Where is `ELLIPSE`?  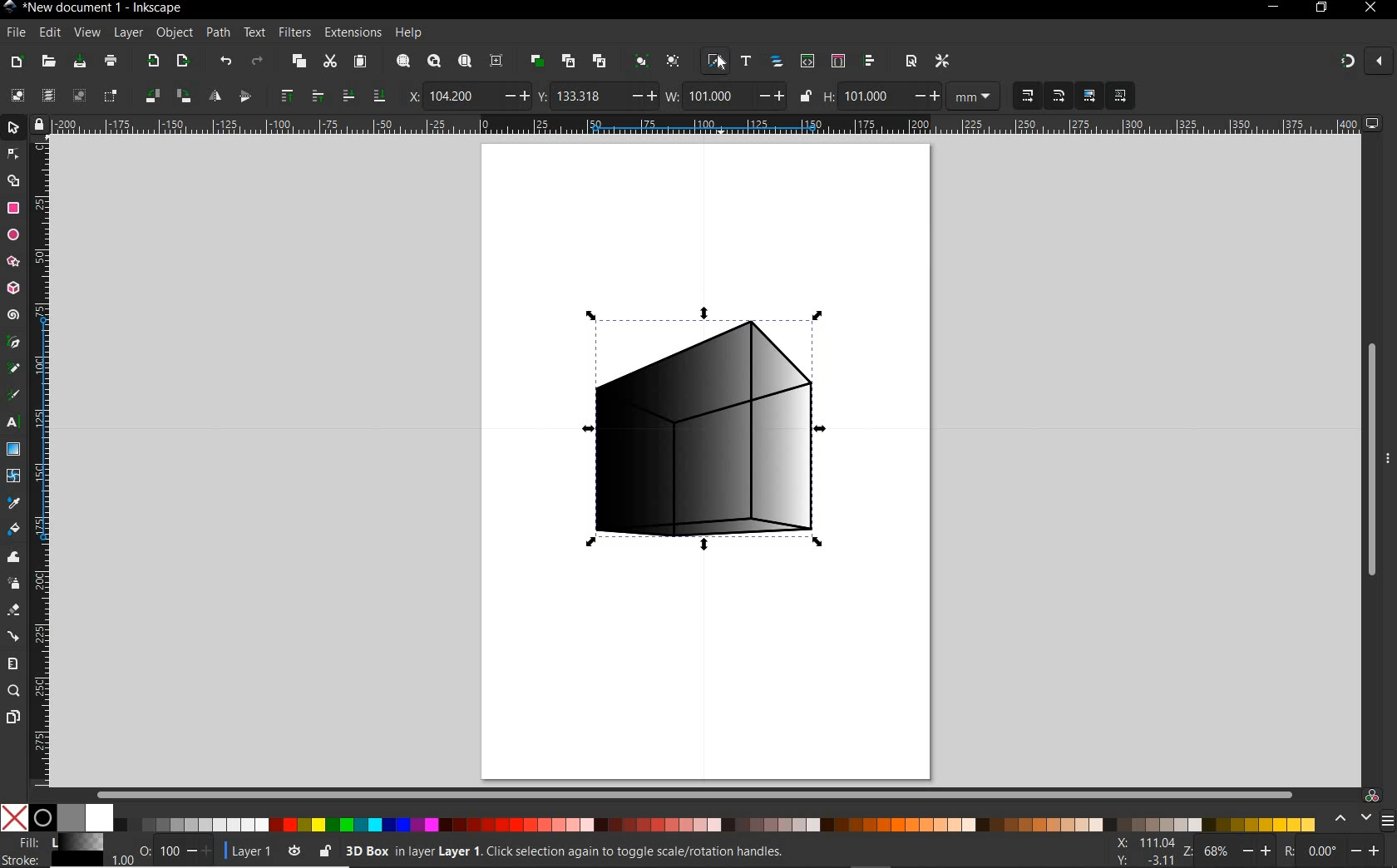 ELLIPSE is located at coordinates (12, 235).